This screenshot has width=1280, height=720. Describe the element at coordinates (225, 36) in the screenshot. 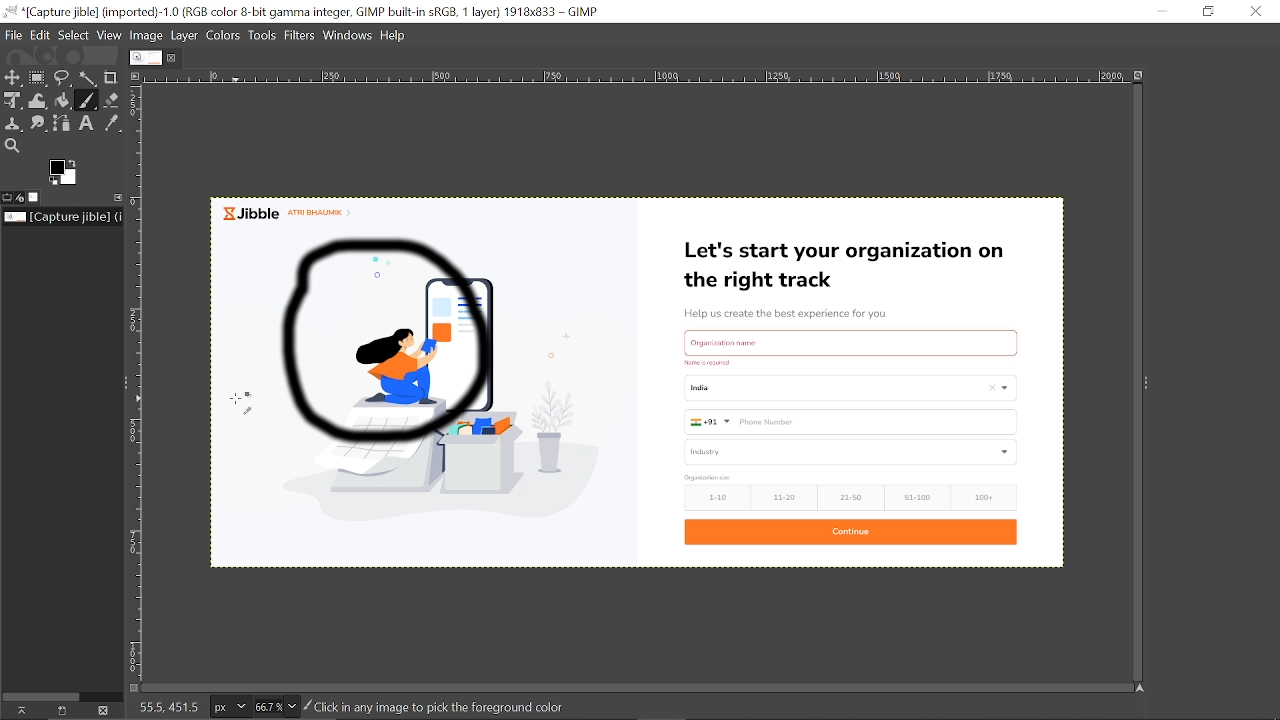

I see `Colors` at that location.